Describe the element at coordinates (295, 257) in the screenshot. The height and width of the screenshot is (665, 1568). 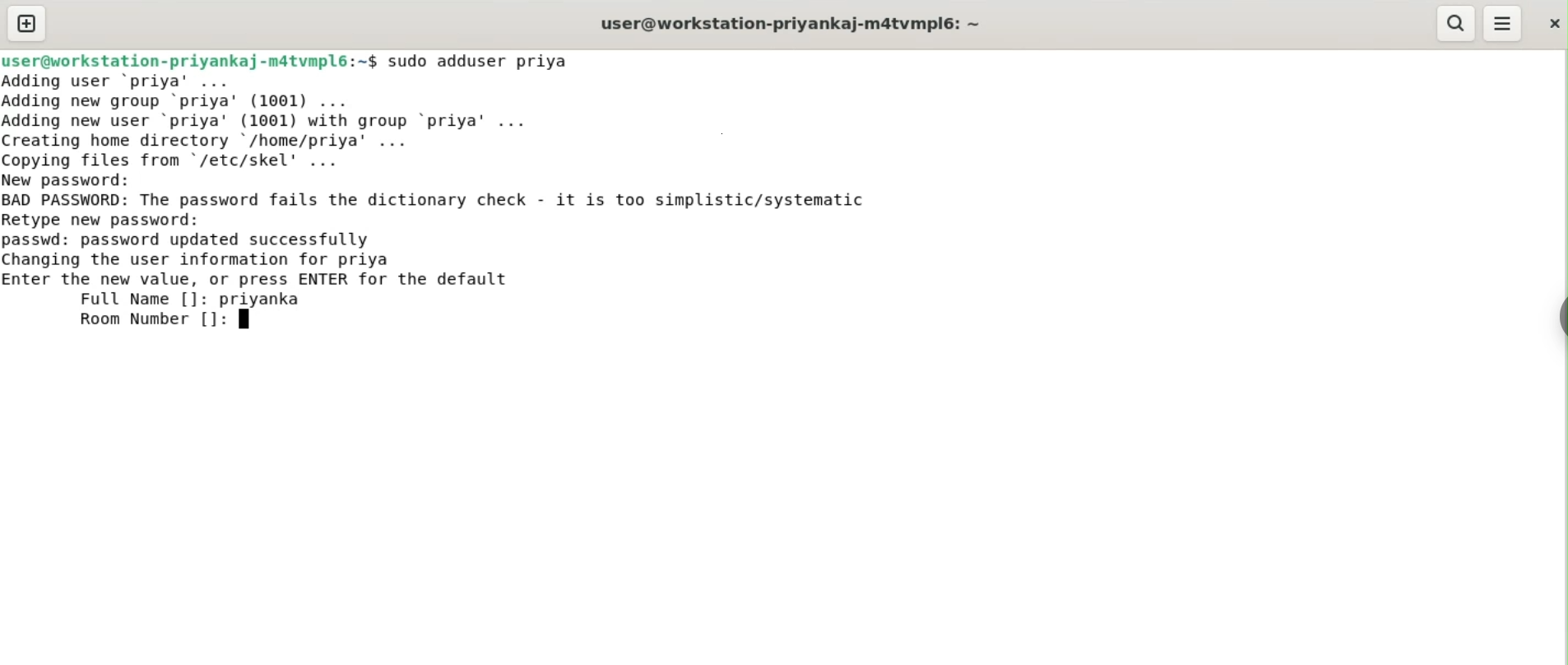
I see `passwd: password updated successfully    changing the user information for priya  enter the new value, or press ENTER for default value` at that location.